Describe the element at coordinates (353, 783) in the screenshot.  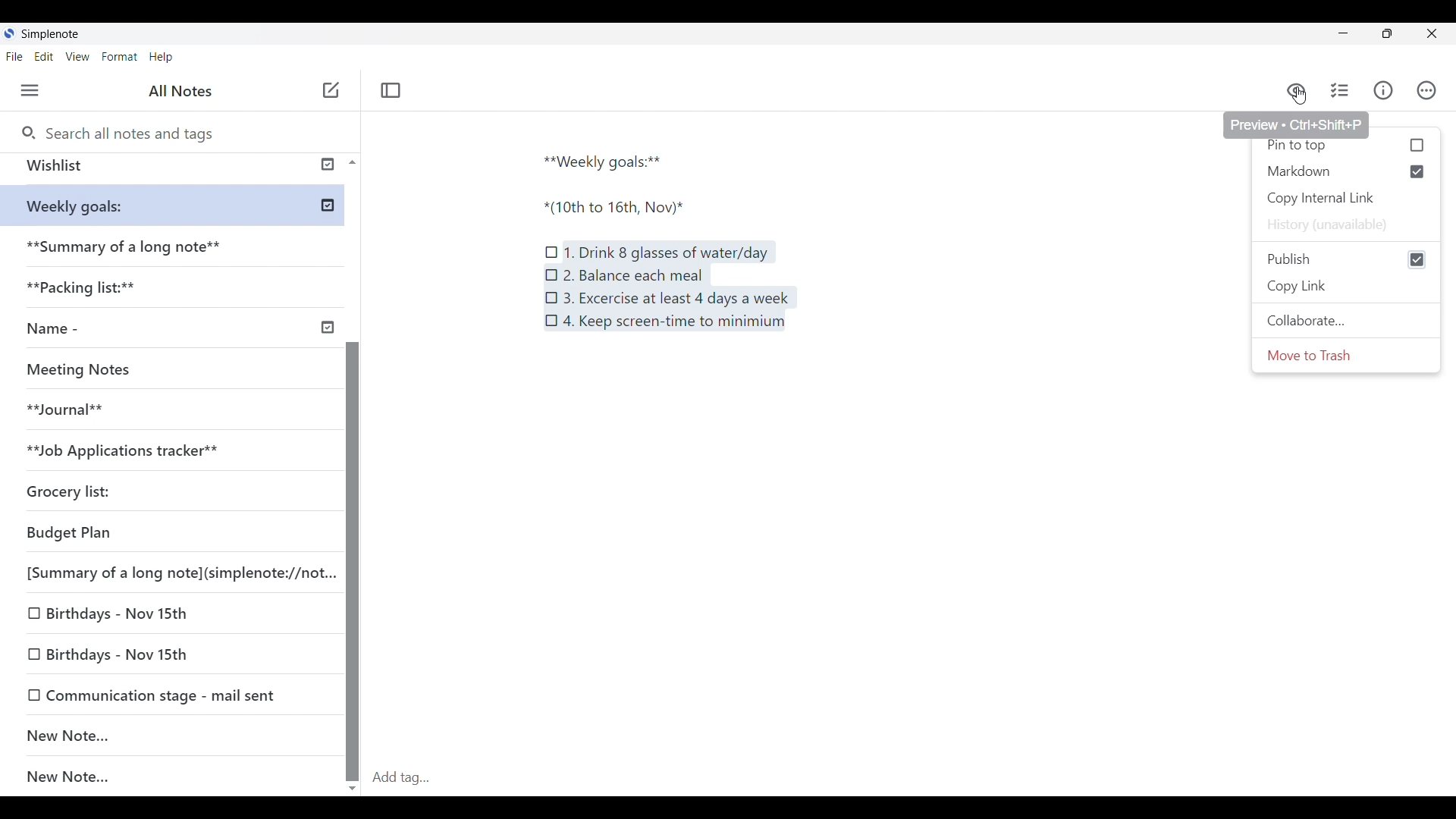
I see `scroll down button` at that location.